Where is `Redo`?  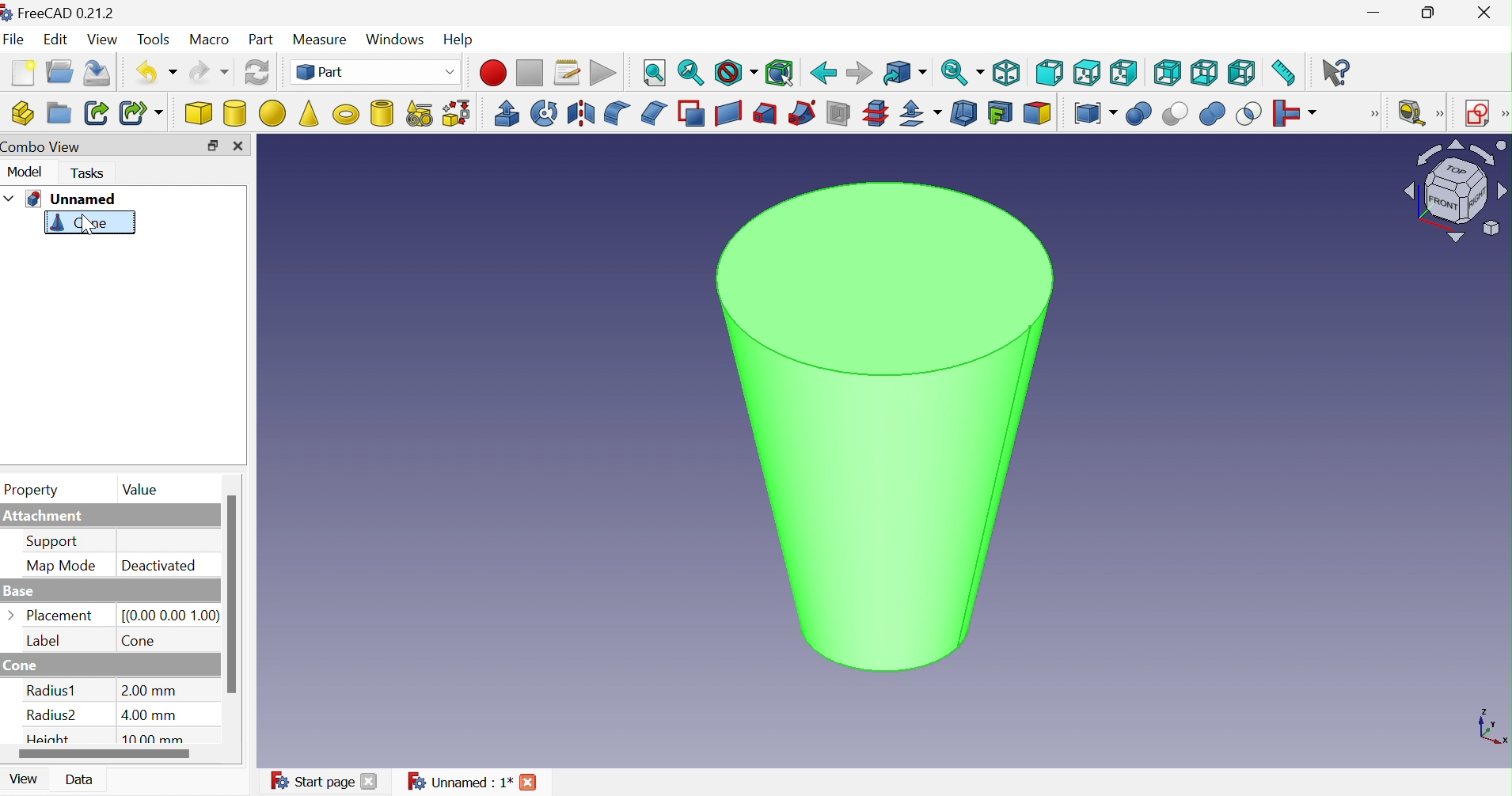
Redo is located at coordinates (208, 73).